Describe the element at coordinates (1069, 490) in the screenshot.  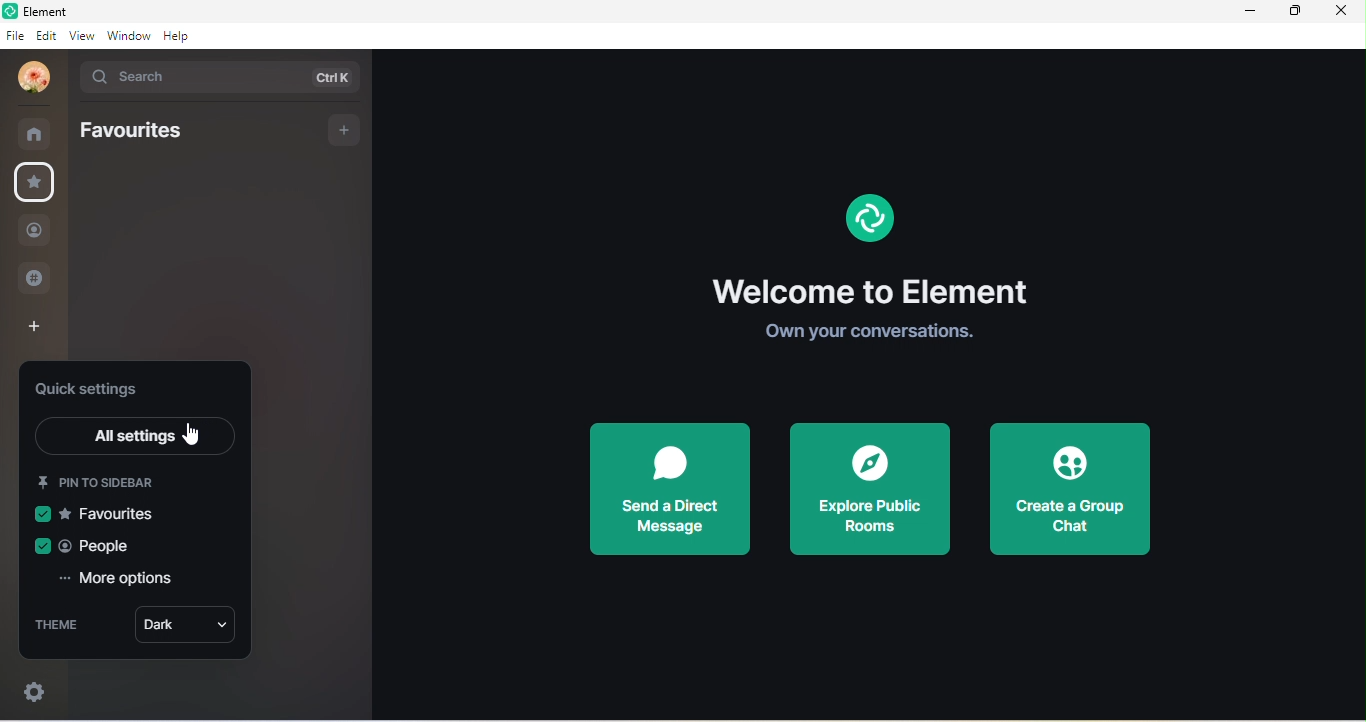
I see `create a group chat` at that location.